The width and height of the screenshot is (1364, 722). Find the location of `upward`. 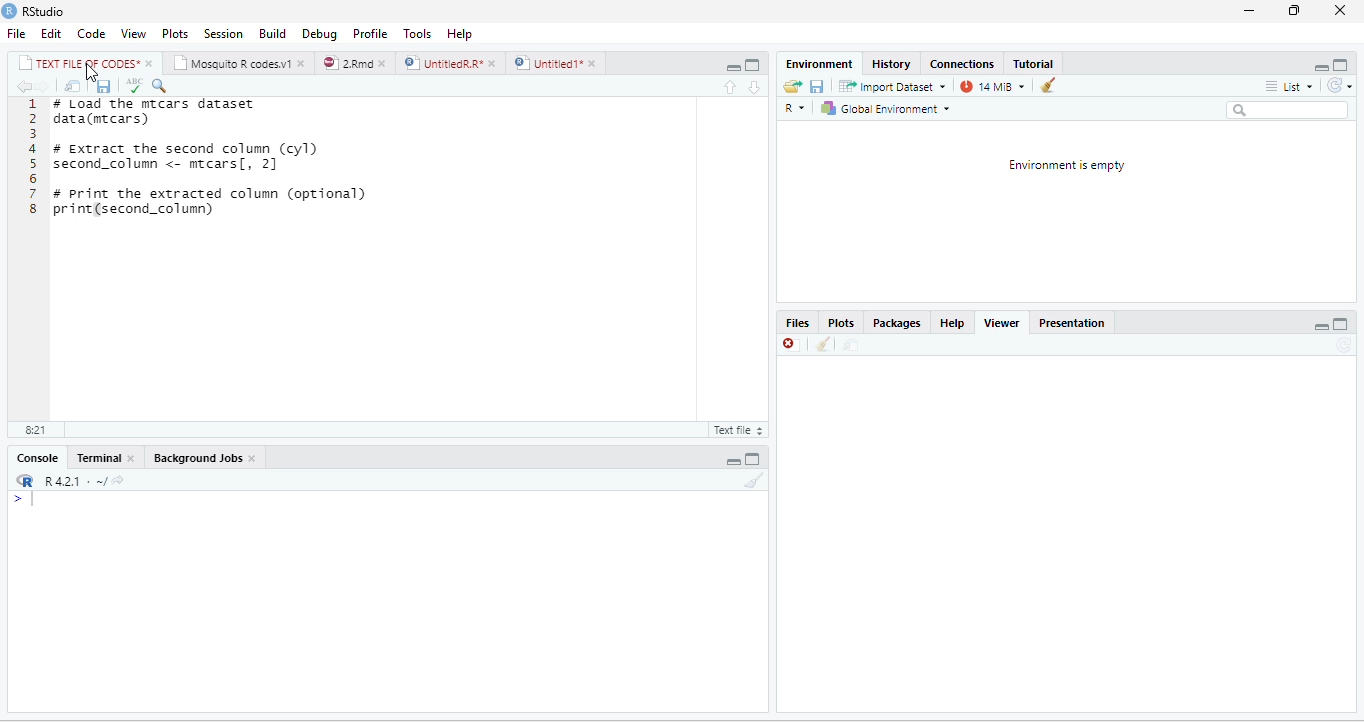

upward is located at coordinates (737, 87).